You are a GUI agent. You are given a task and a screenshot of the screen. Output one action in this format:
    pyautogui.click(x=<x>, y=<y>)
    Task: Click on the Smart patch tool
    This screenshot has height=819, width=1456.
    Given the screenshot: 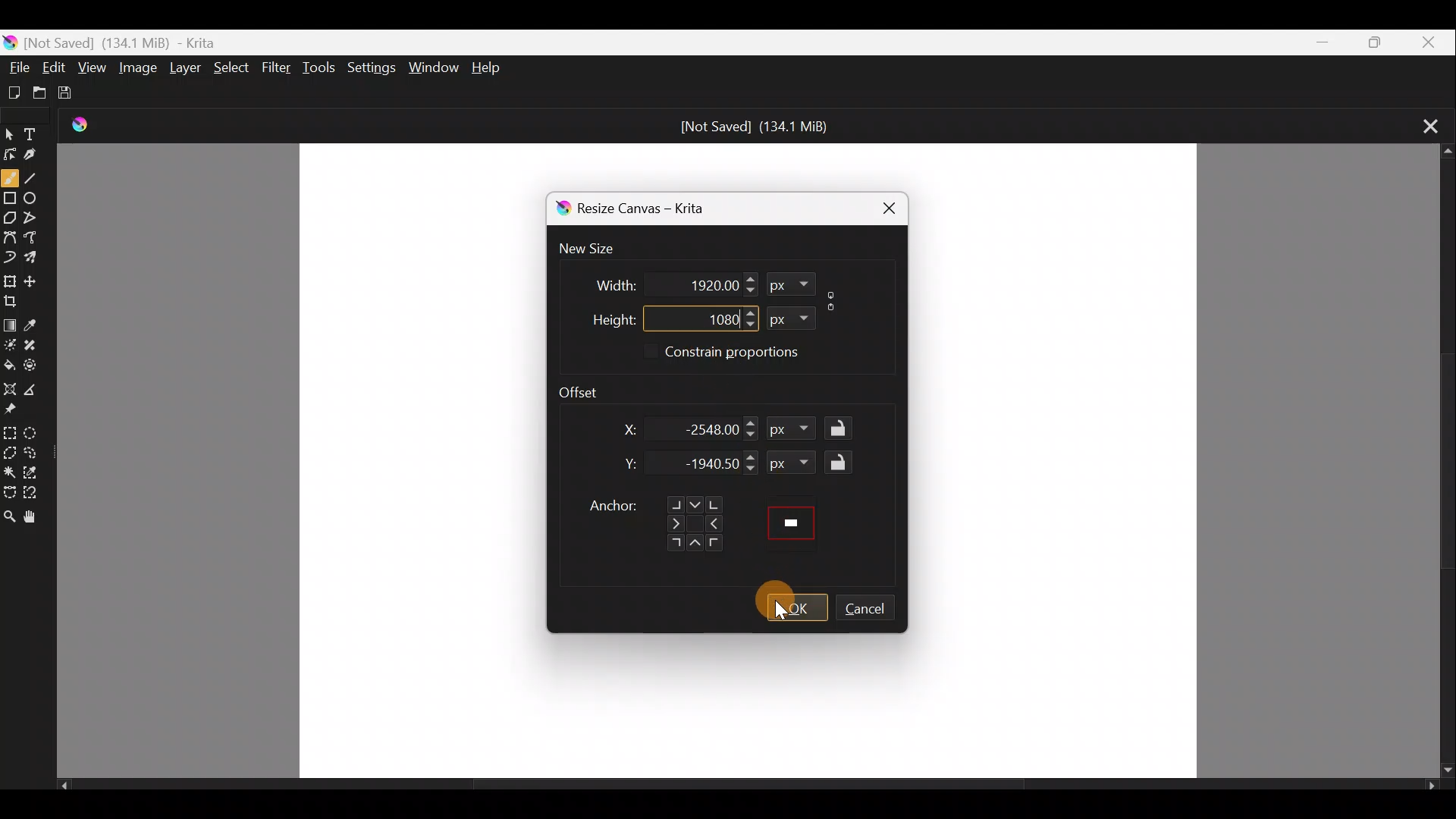 What is the action you would take?
    pyautogui.click(x=36, y=343)
    